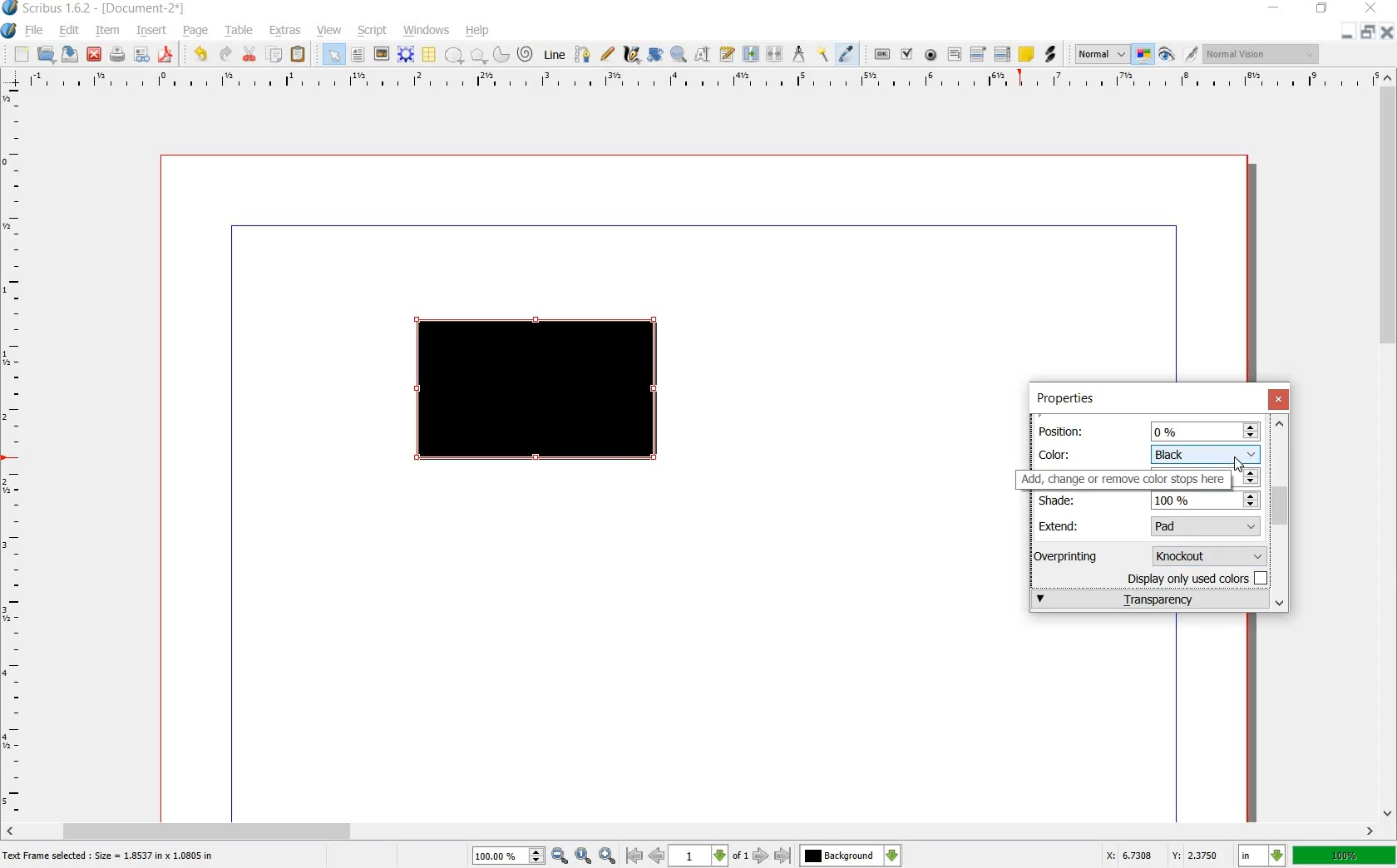  I want to click on 1, so click(697, 856).